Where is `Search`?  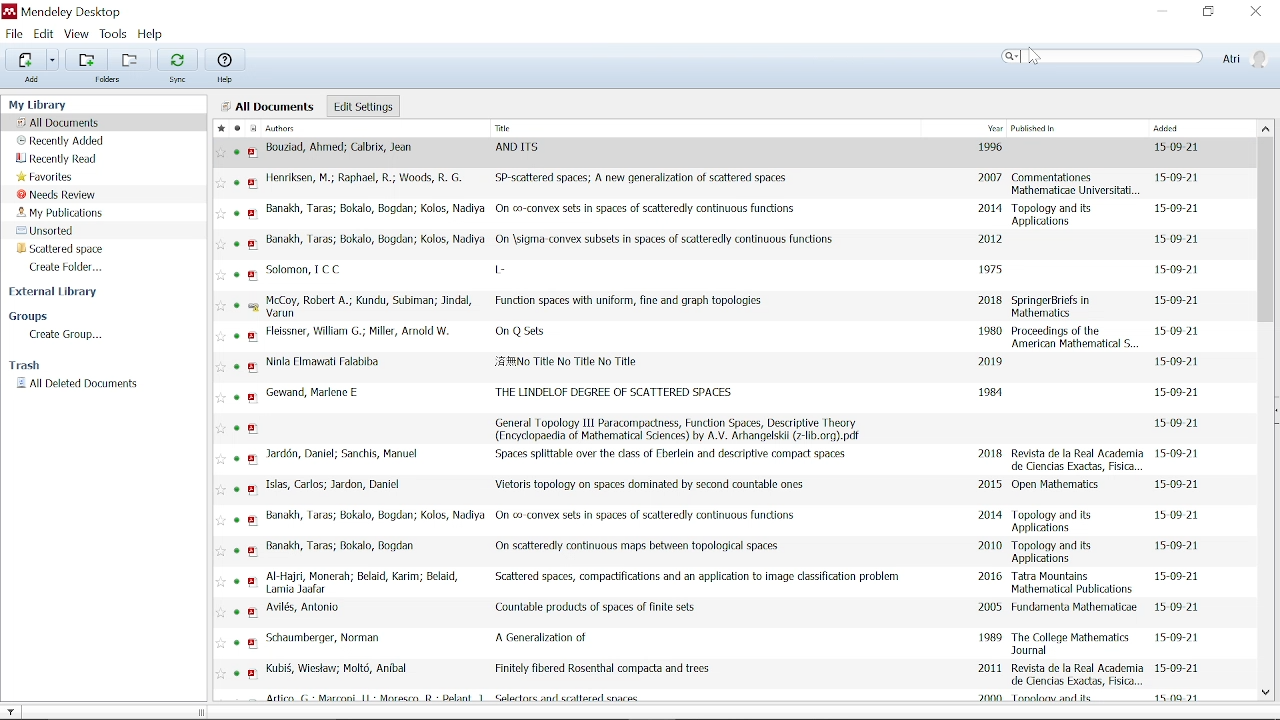 Search is located at coordinates (1104, 56).